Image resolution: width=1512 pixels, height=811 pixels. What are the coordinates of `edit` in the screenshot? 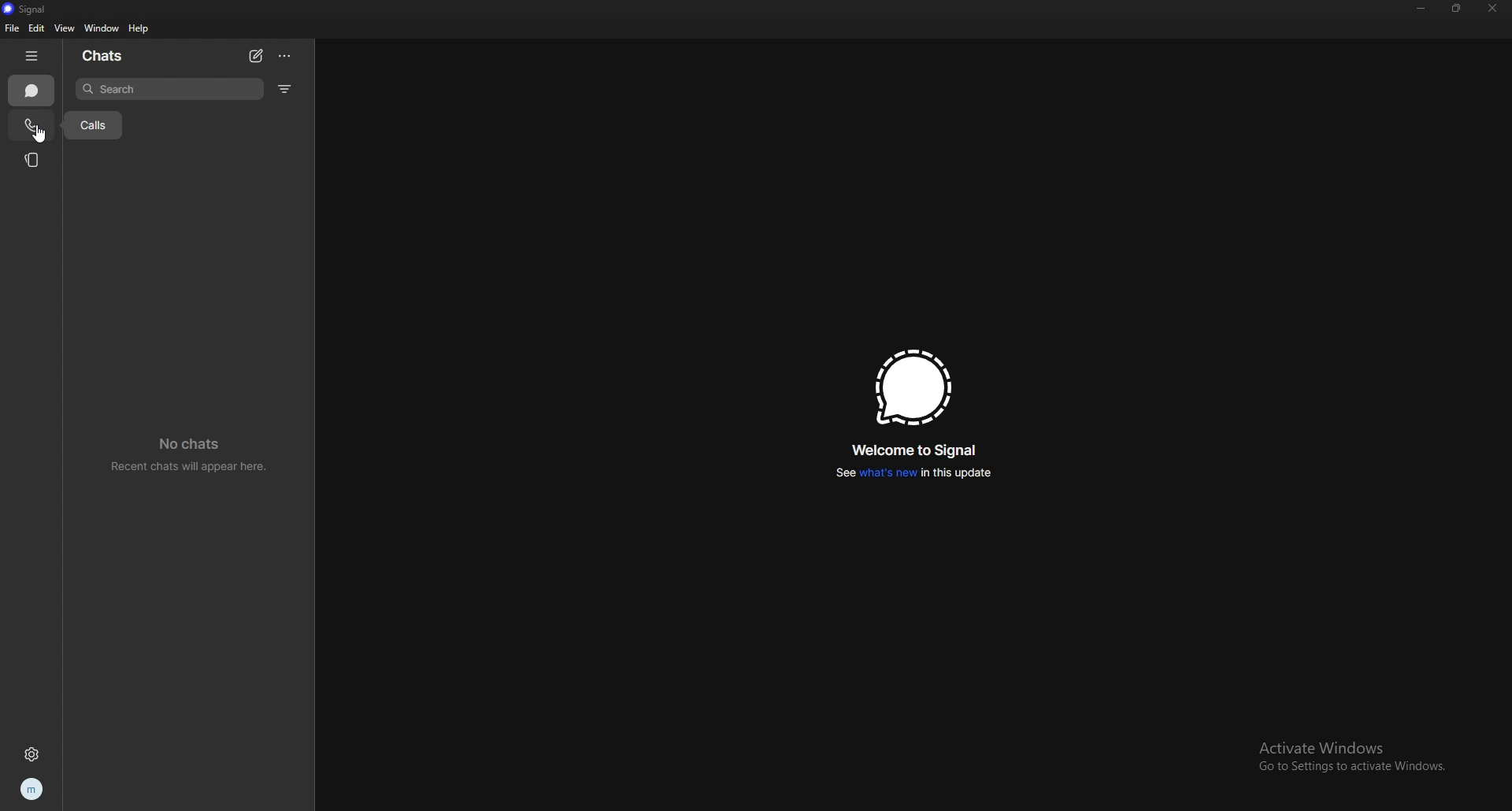 It's located at (36, 28).